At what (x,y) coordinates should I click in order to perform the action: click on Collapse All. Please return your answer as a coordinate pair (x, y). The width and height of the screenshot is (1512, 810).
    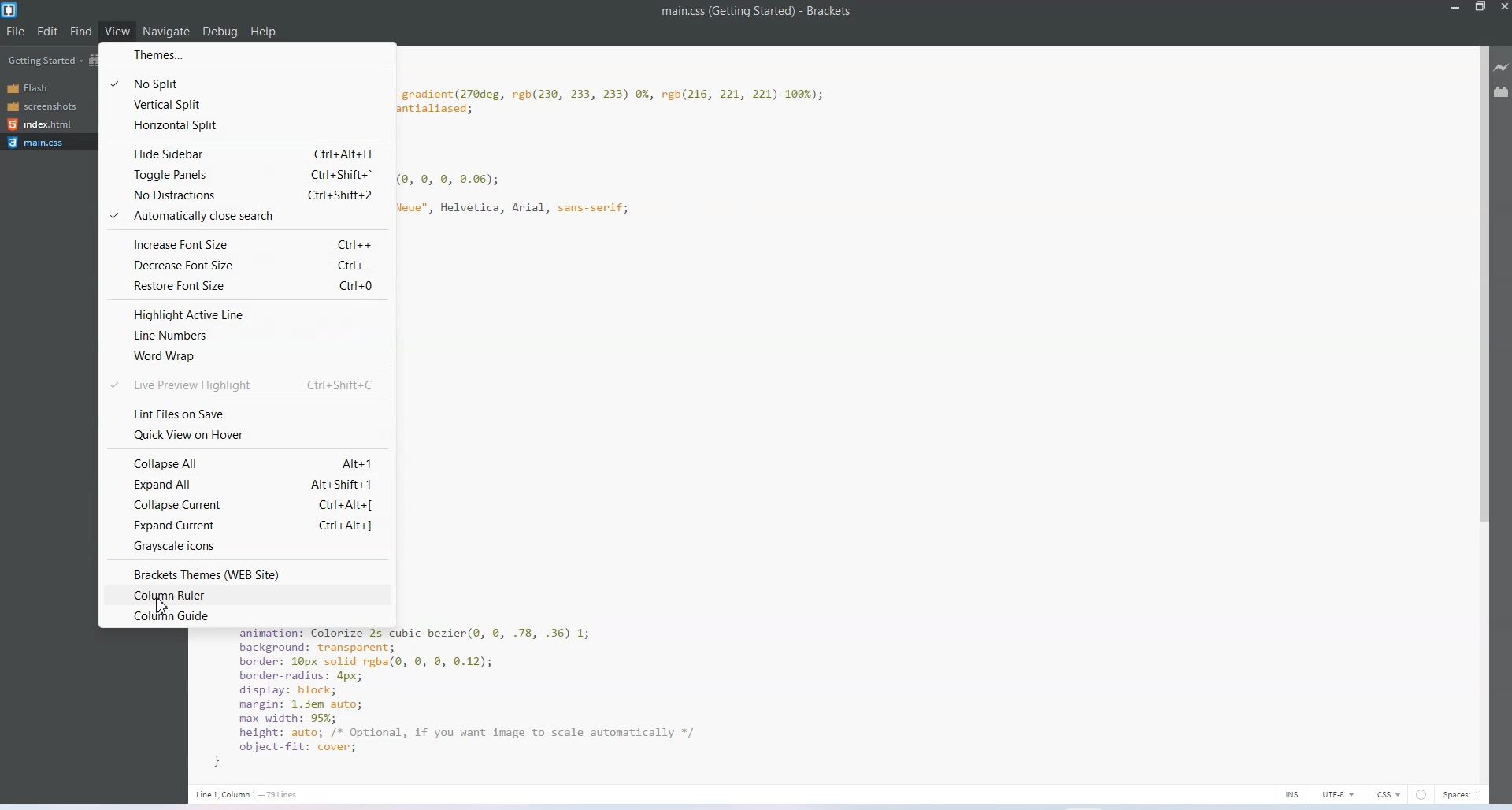
    Looking at the image, I should click on (248, 462).